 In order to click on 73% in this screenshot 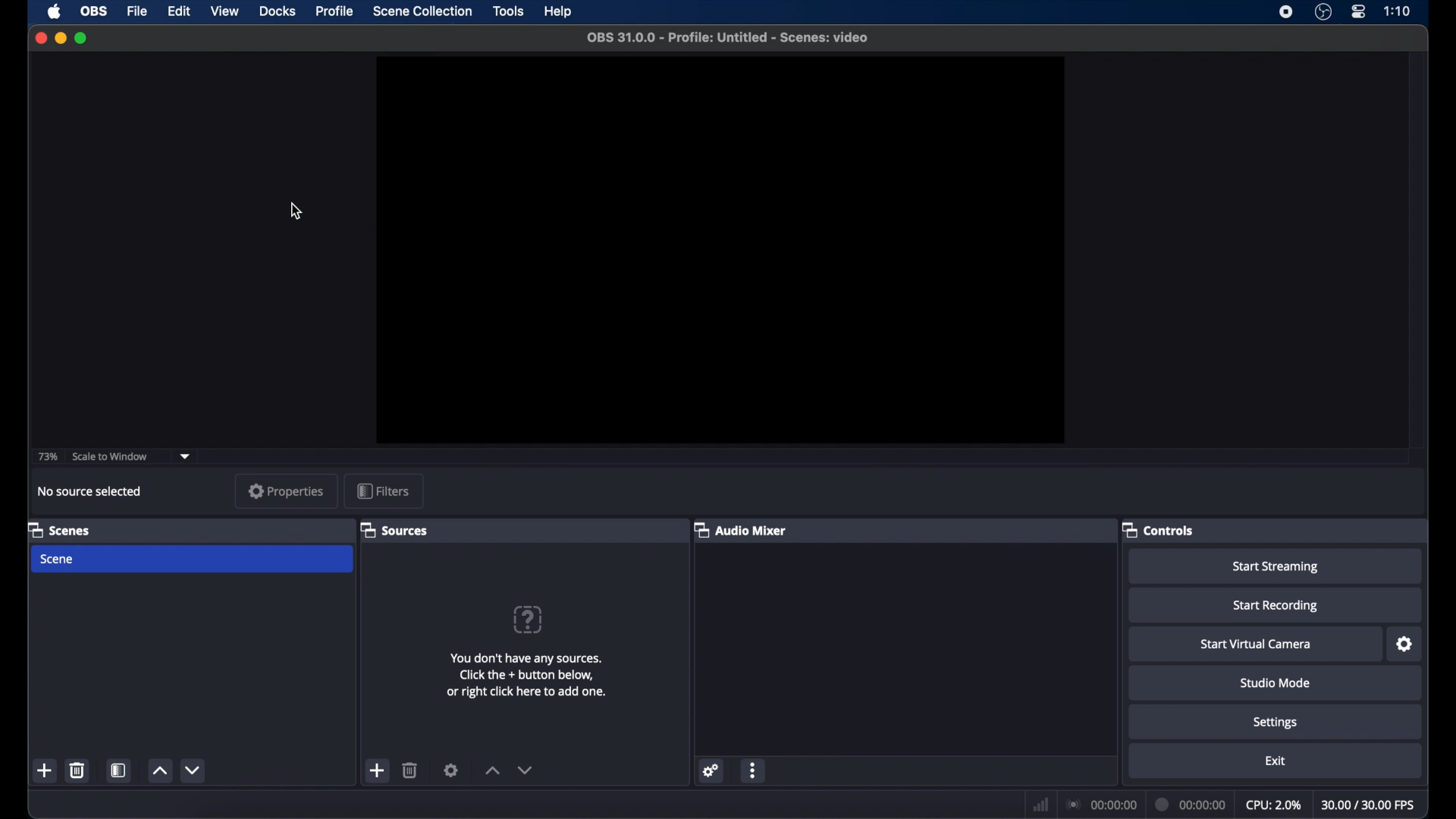, I will do `click(46, 457)`.